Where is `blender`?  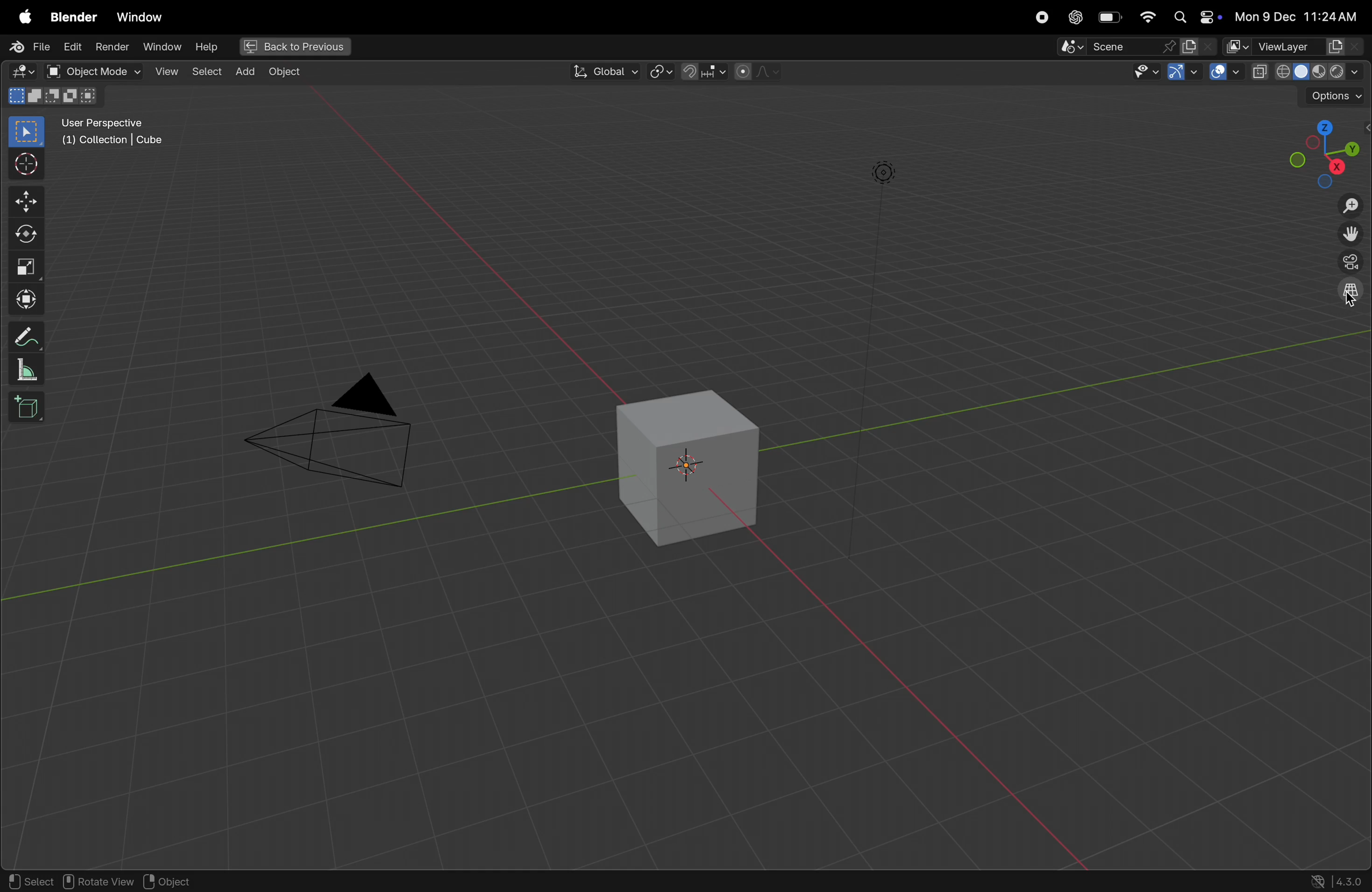 blender is located at coordinates (75, 14).